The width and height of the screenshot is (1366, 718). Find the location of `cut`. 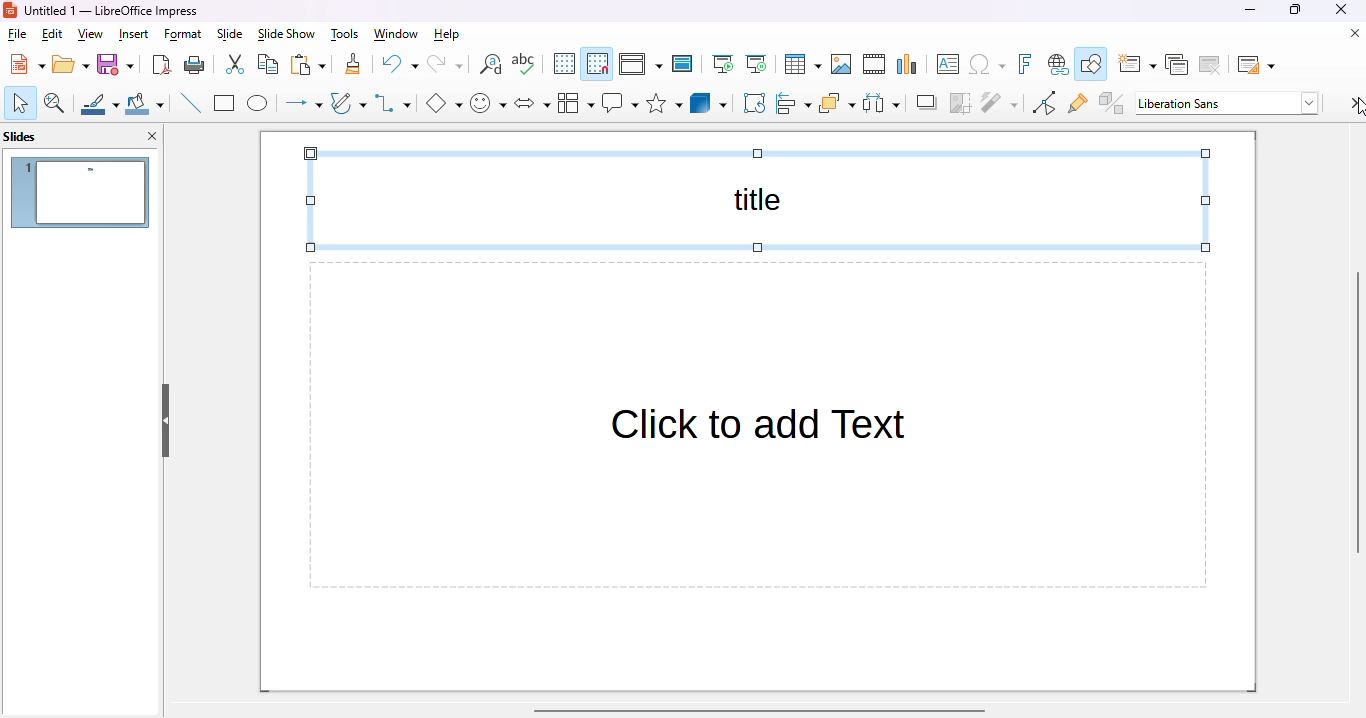

cut is located at coordinates (236, 64).